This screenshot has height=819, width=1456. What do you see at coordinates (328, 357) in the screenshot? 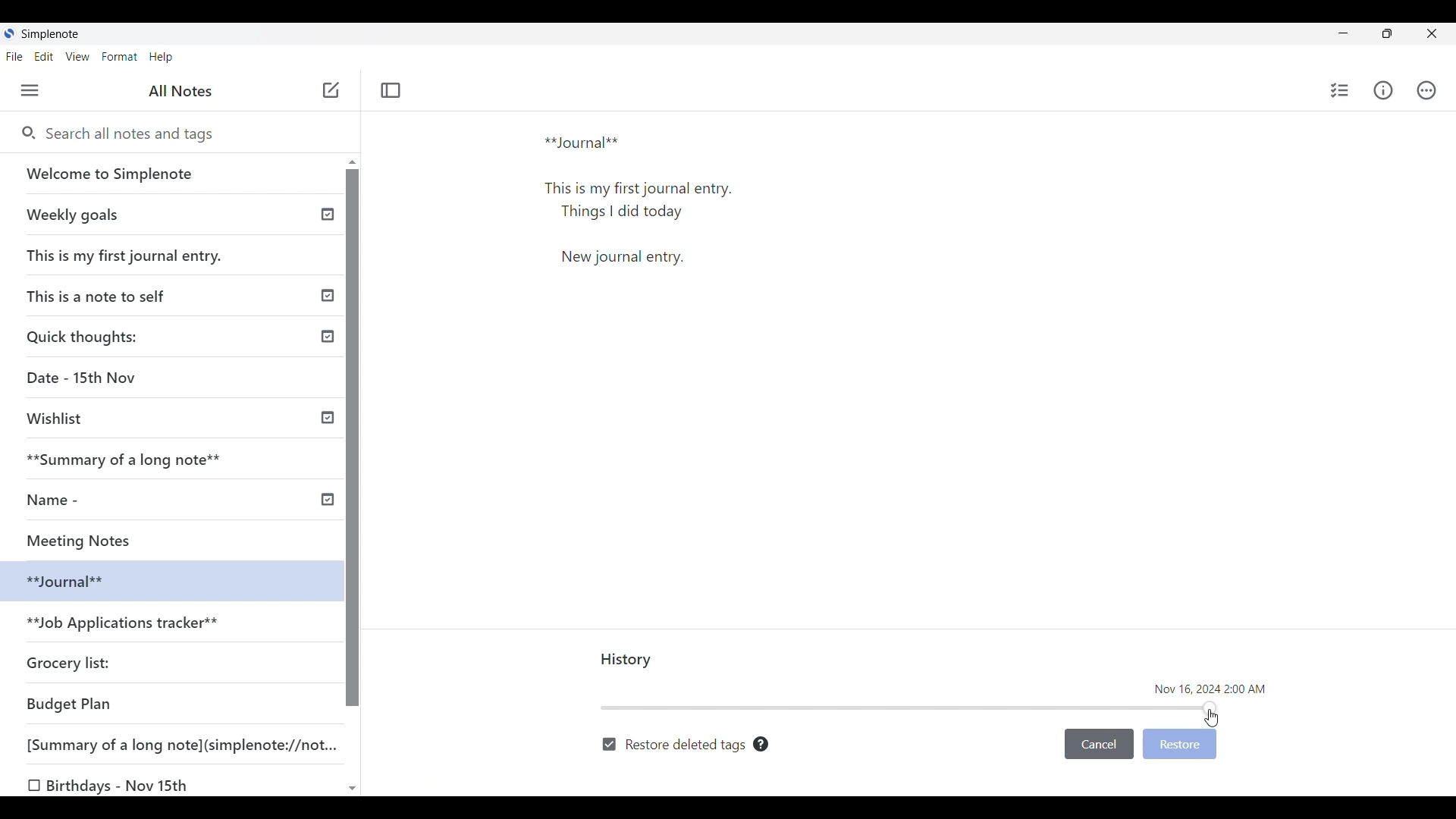
I see `Published notes indicated by check icon` at bounding box center [328, 357].